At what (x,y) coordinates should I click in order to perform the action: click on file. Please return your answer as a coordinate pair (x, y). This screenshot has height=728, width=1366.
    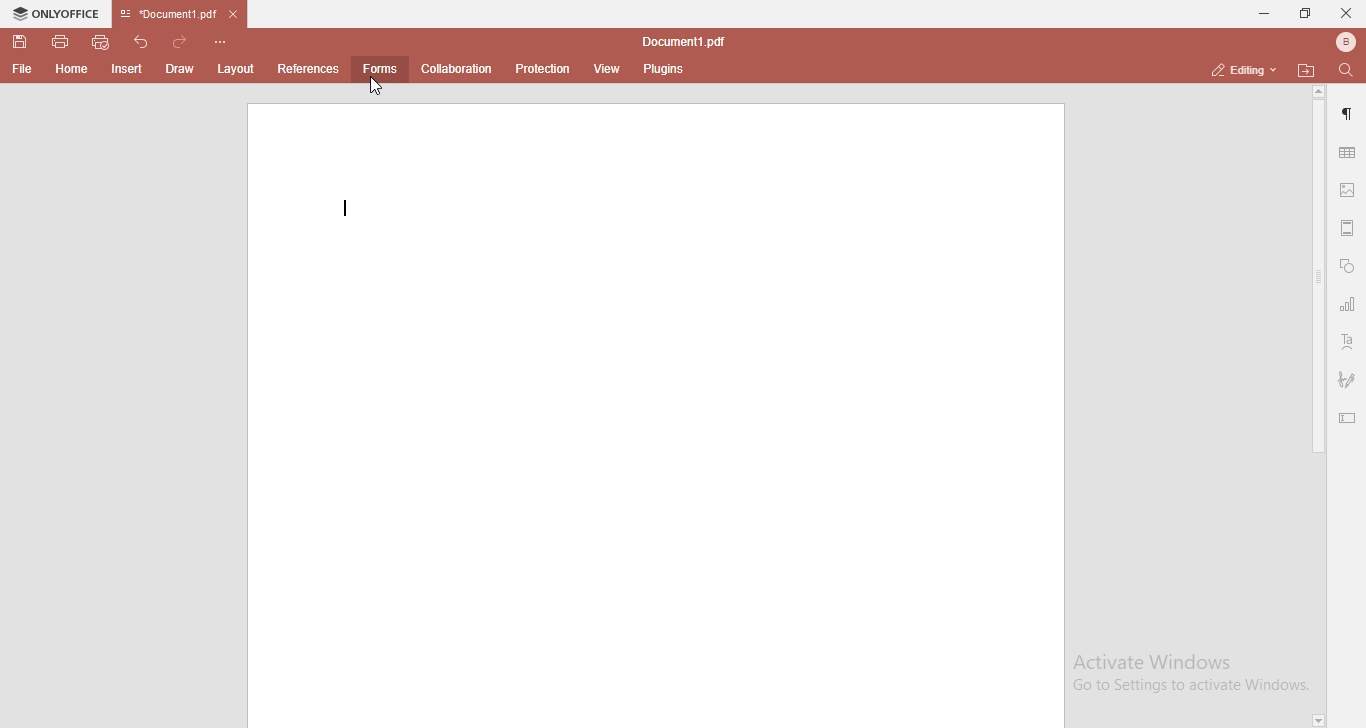
    Looking at the image, I should click on (21, 67).